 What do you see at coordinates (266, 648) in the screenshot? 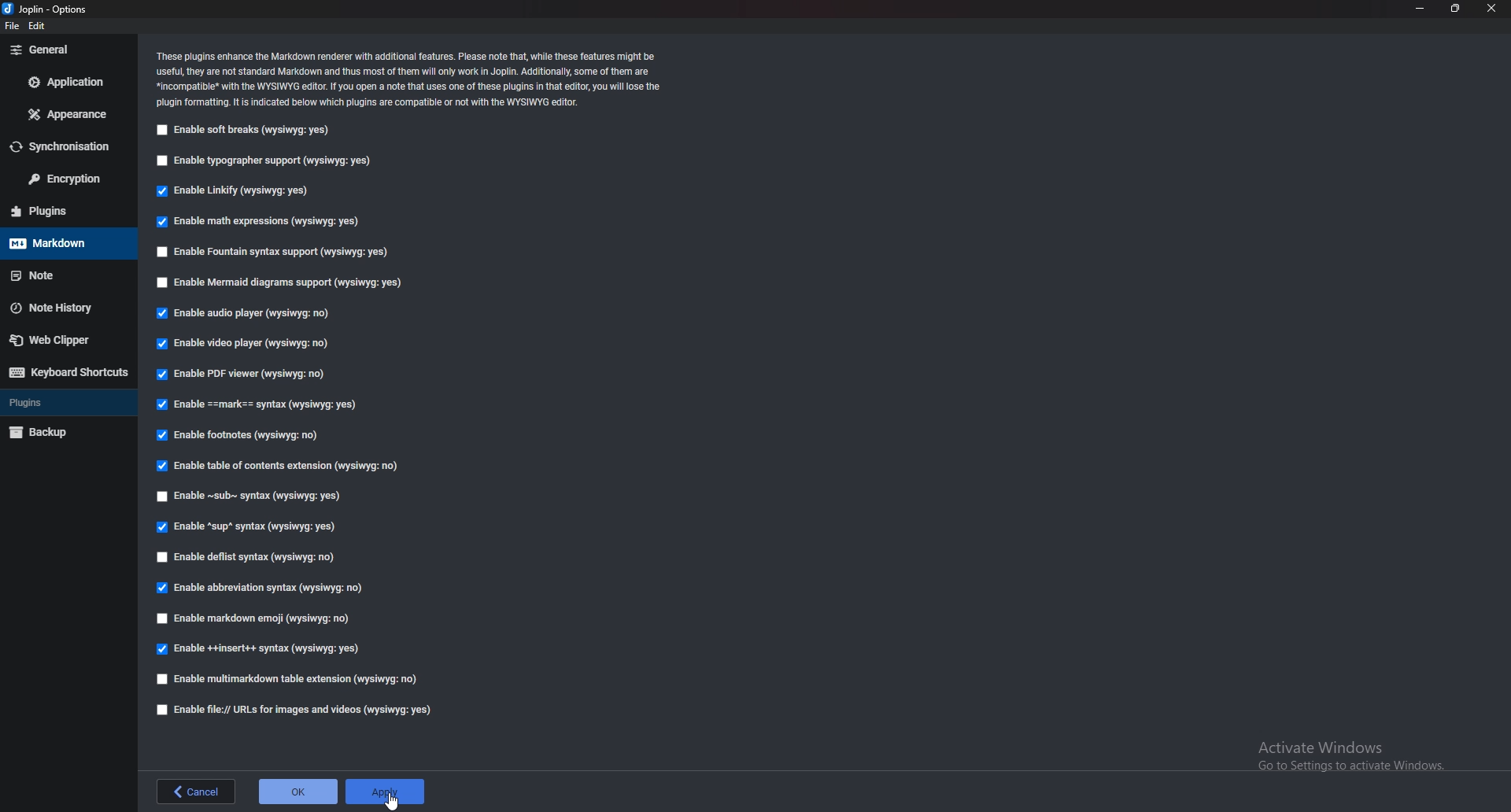
I see `Enable insert syntax` at bounding box center [266, 648].